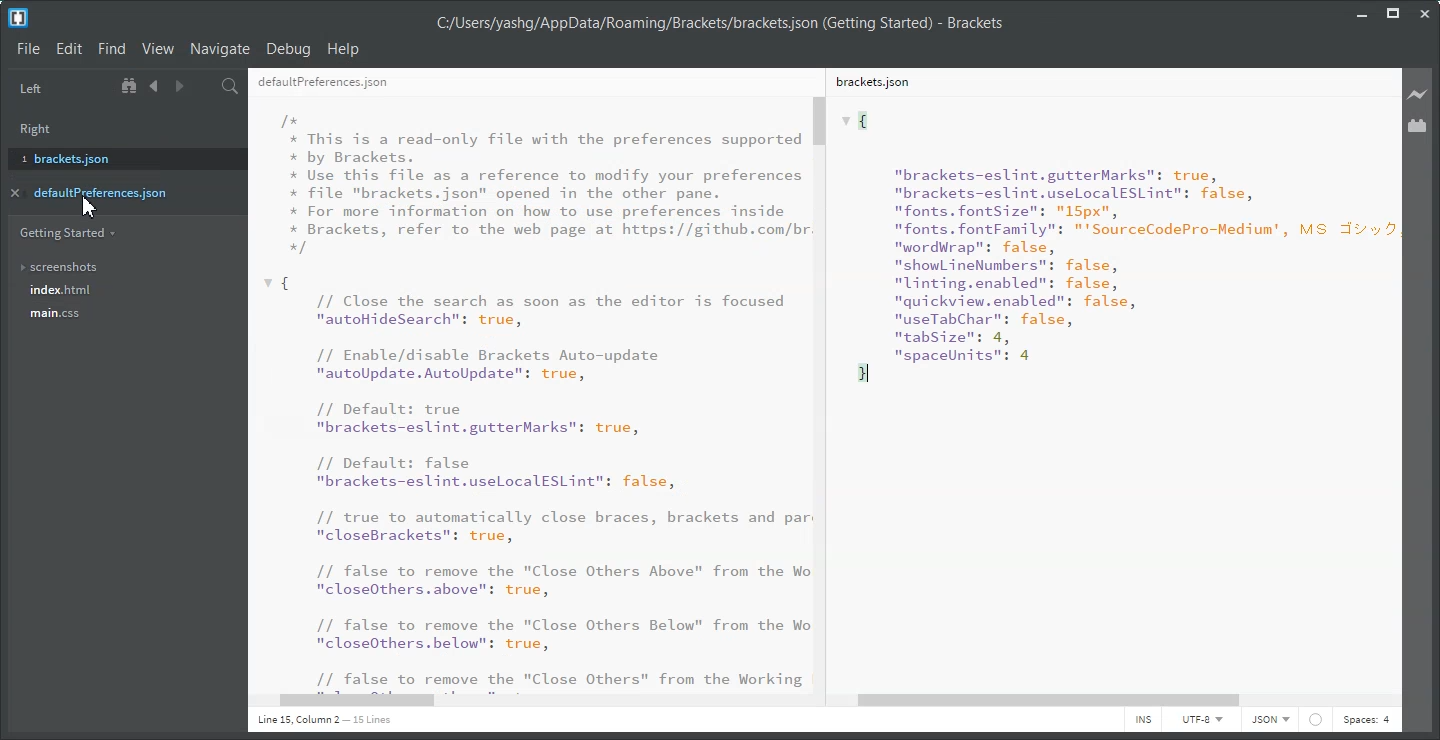  I want to click on Extension Manager, so click(1419, 126).